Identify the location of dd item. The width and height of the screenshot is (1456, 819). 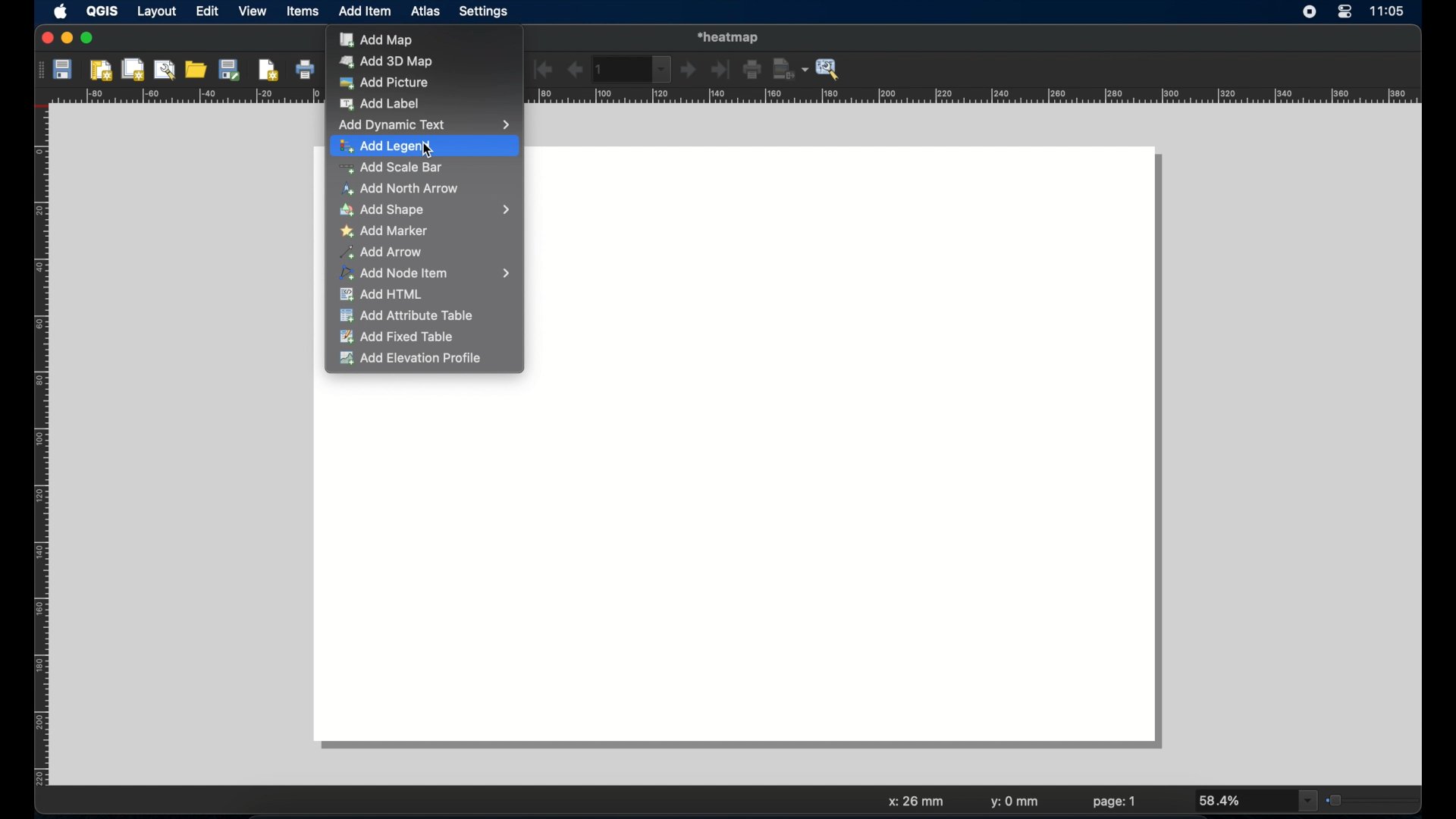
(366, 13).